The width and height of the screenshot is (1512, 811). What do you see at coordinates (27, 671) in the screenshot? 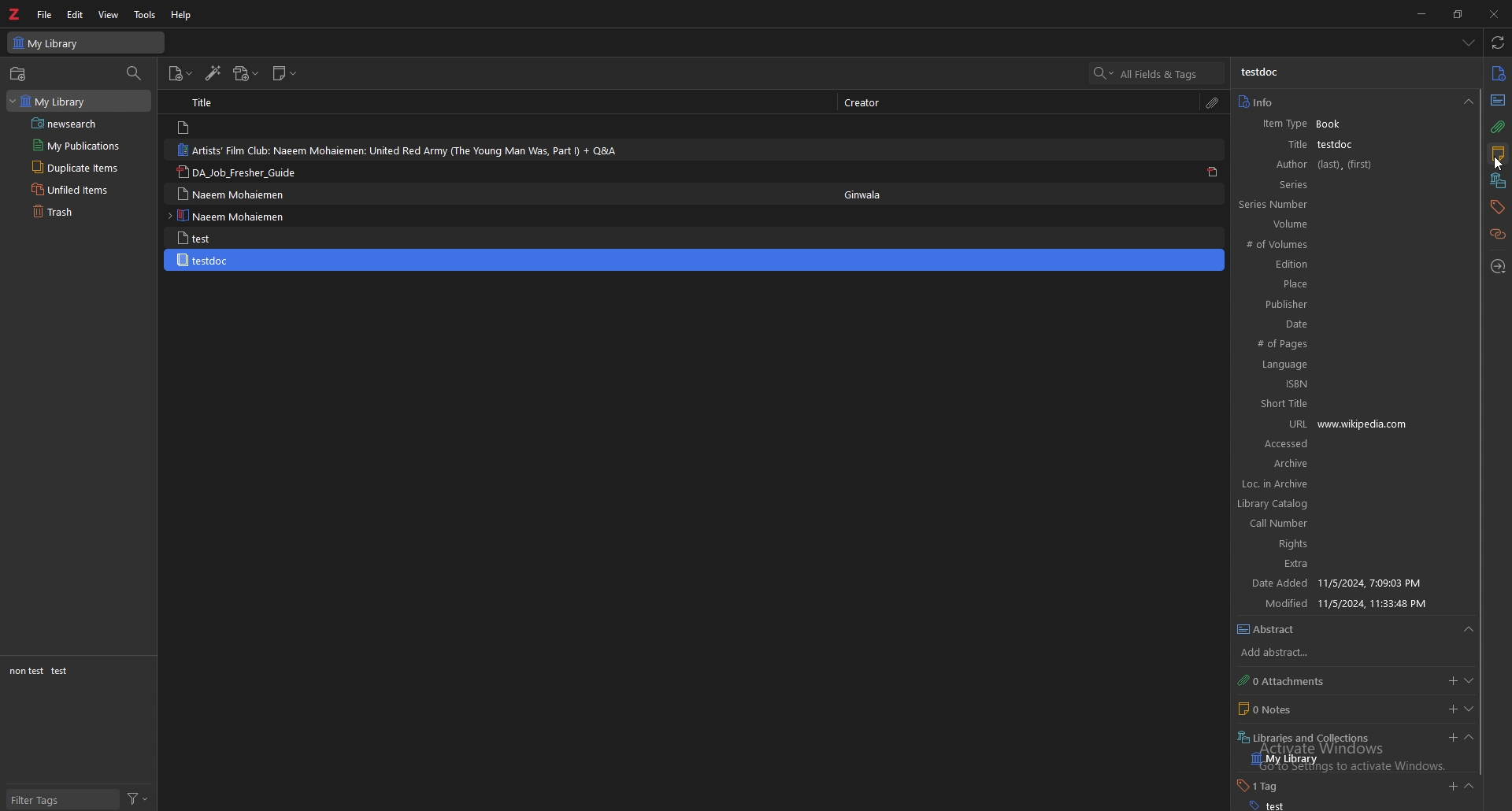
I see `non test` at bounding box center [27, 671].